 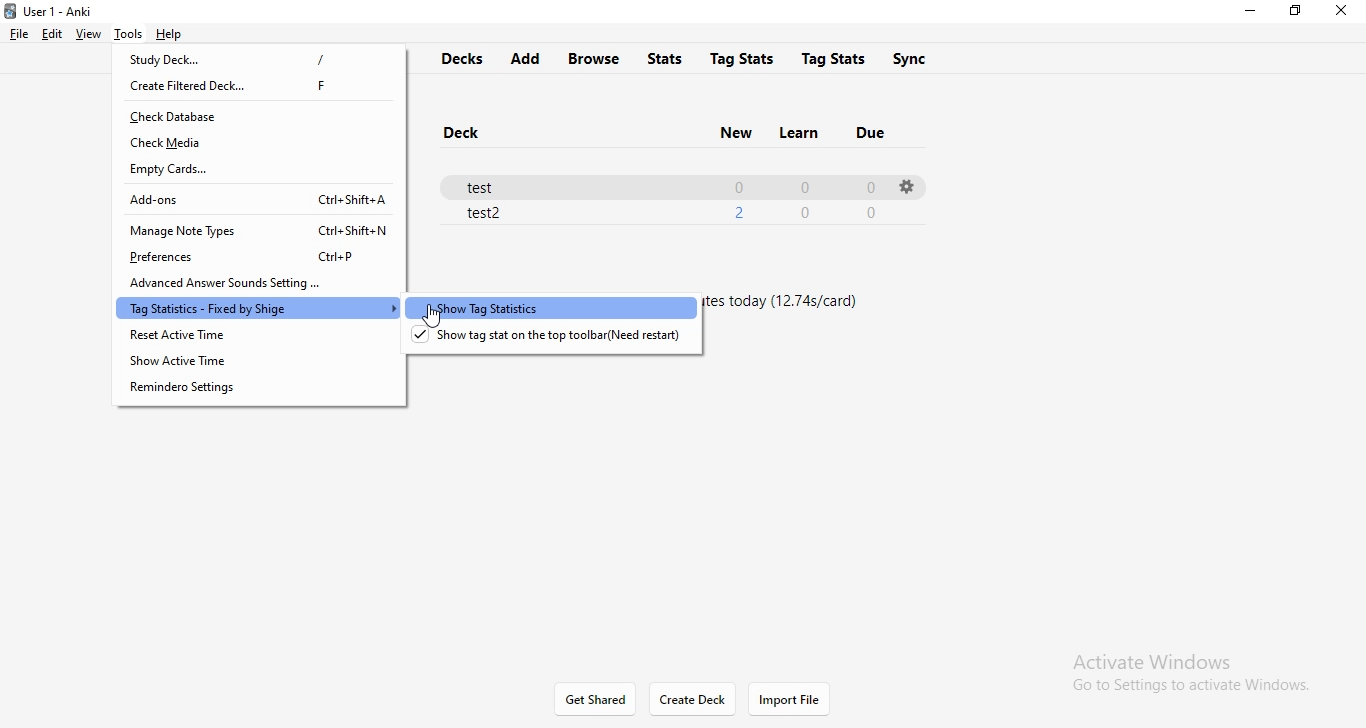 I want to click on deck, so click(x=460, y=133).